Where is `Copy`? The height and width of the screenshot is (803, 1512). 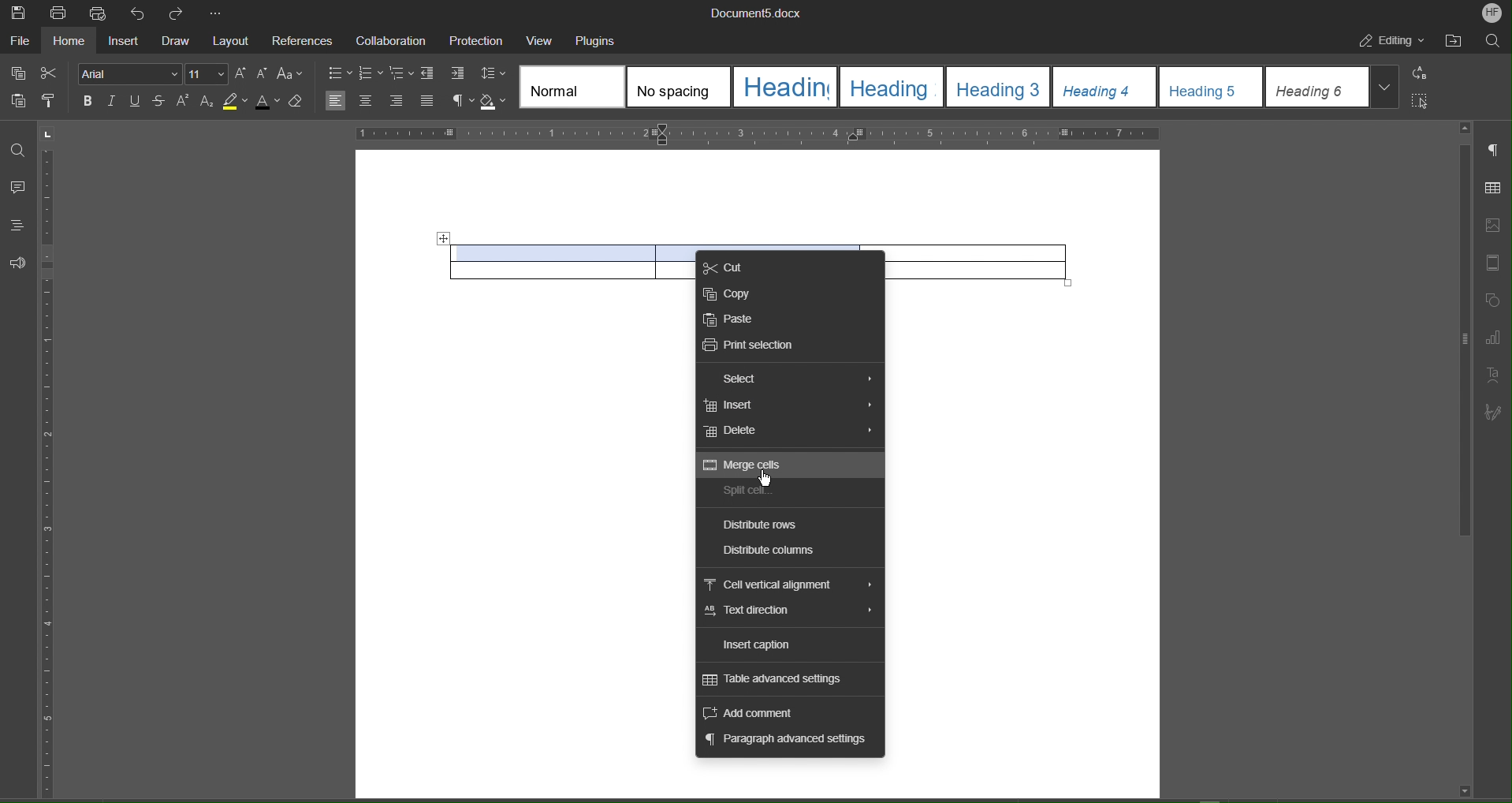 Copy is located at coordinates (16, 72).